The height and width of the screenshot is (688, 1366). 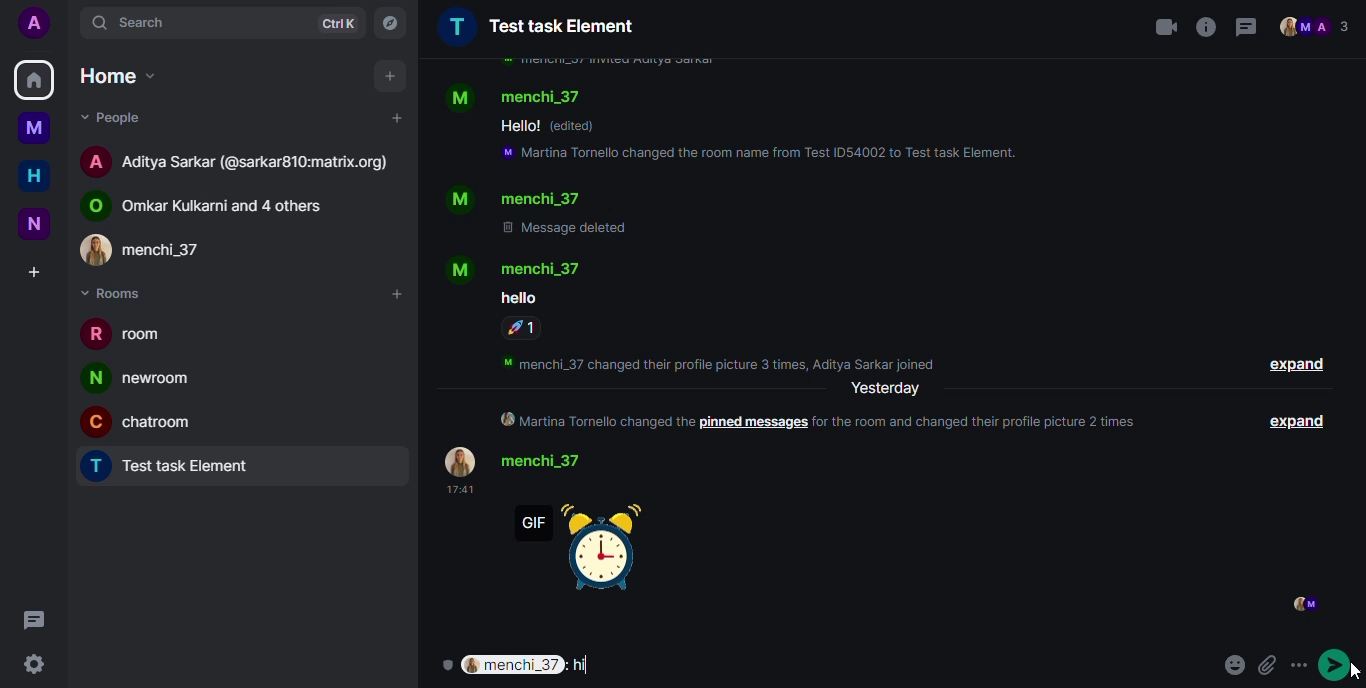 I want to click on contact, so click(x=515, y=199).